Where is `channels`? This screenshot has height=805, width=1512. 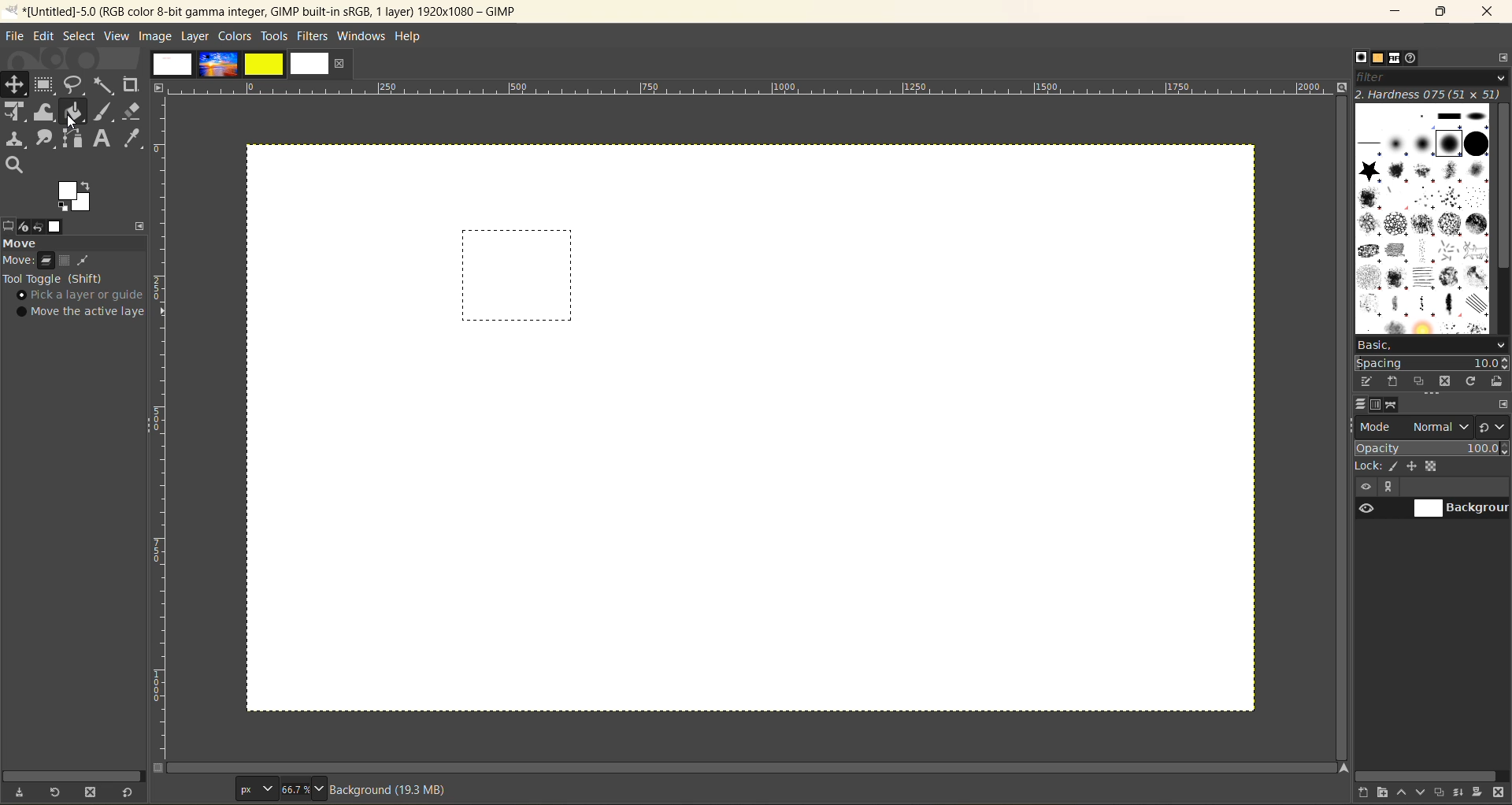
channels is located at coordinates (1376, 408).